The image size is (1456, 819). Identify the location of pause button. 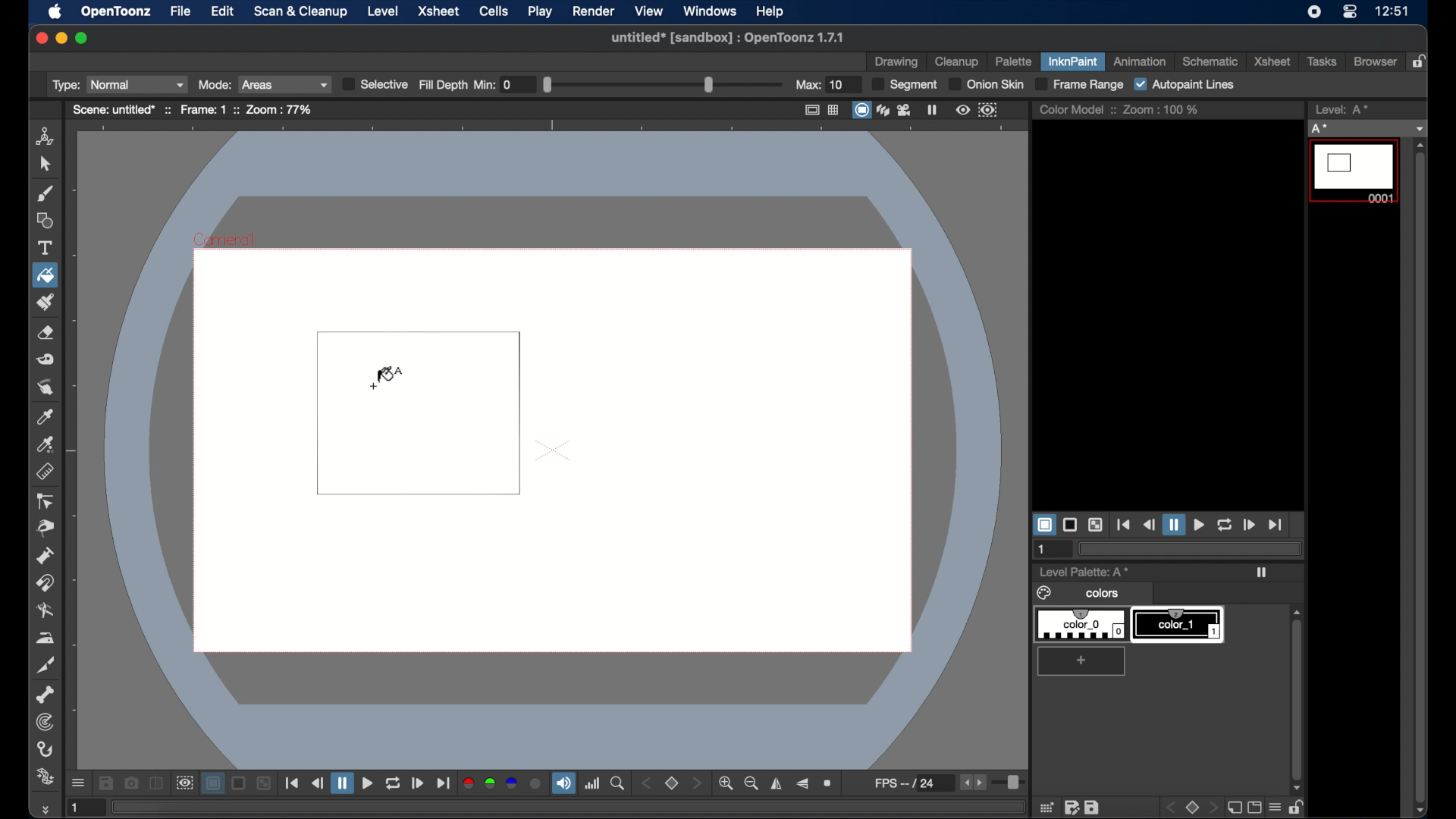
(1173, 524).